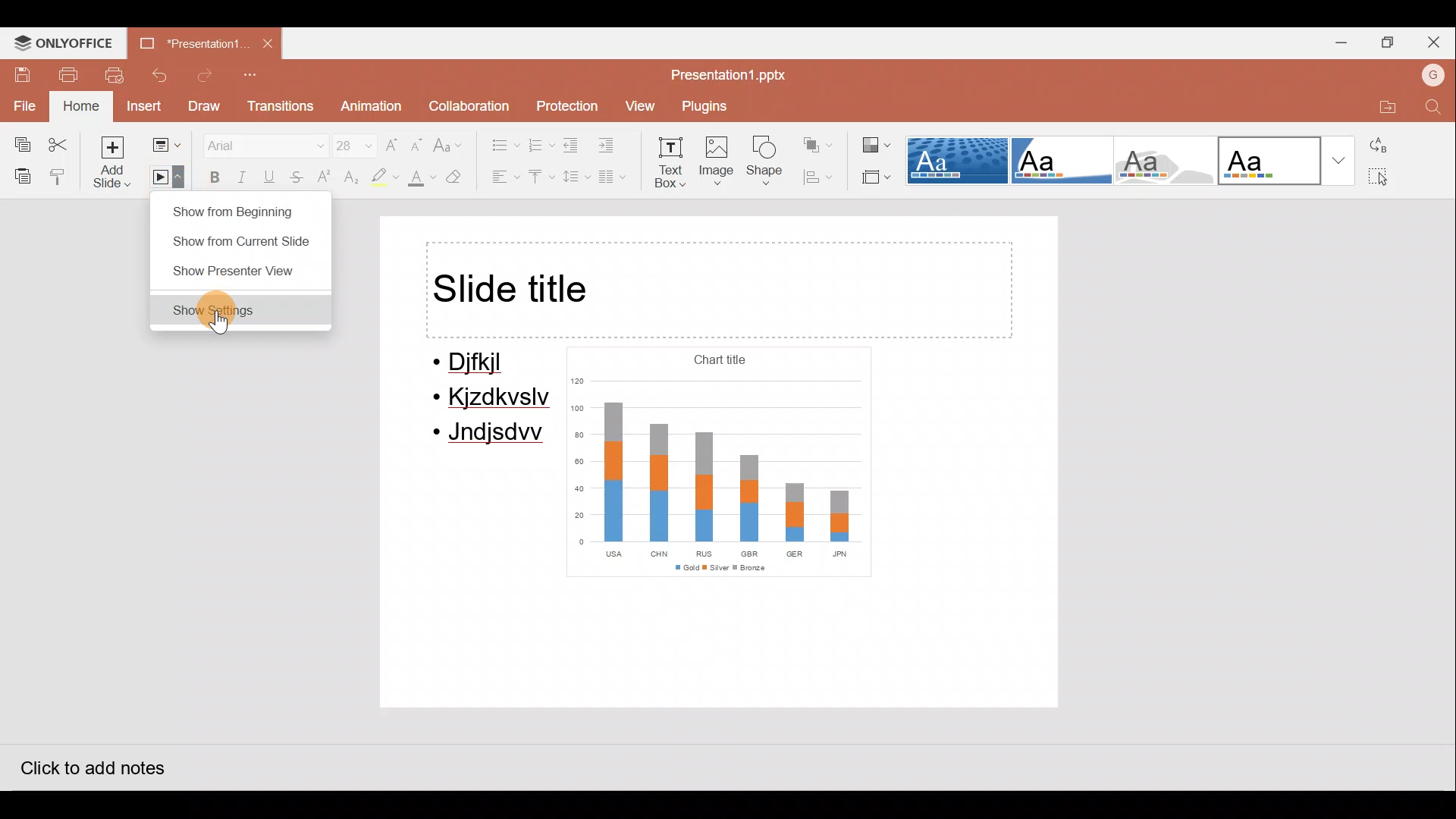  I want to click on Plugins, so click(709, 105).